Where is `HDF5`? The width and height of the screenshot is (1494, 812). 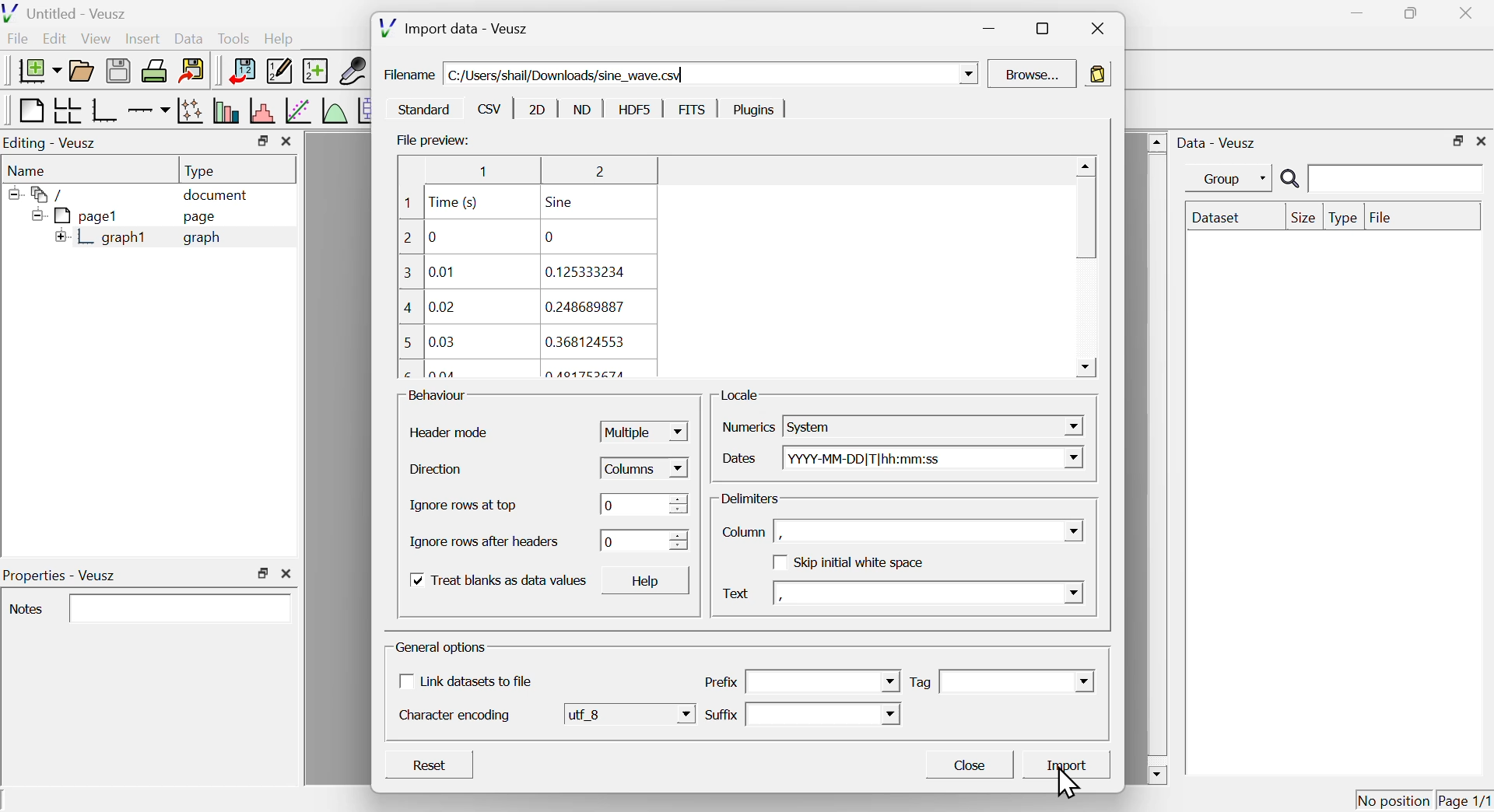 HDF5 is located at coordinates (634, 109).